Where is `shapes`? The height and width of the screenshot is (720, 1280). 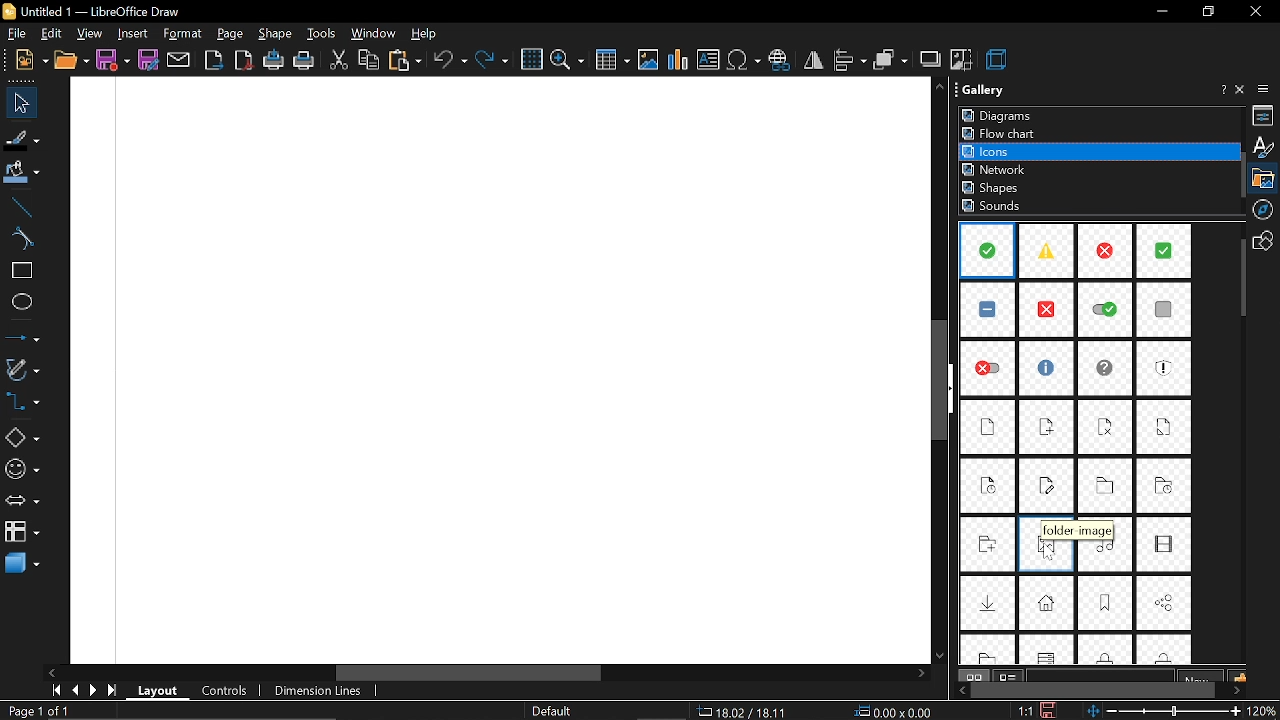 shapes is located at coordinates (1266, 240).